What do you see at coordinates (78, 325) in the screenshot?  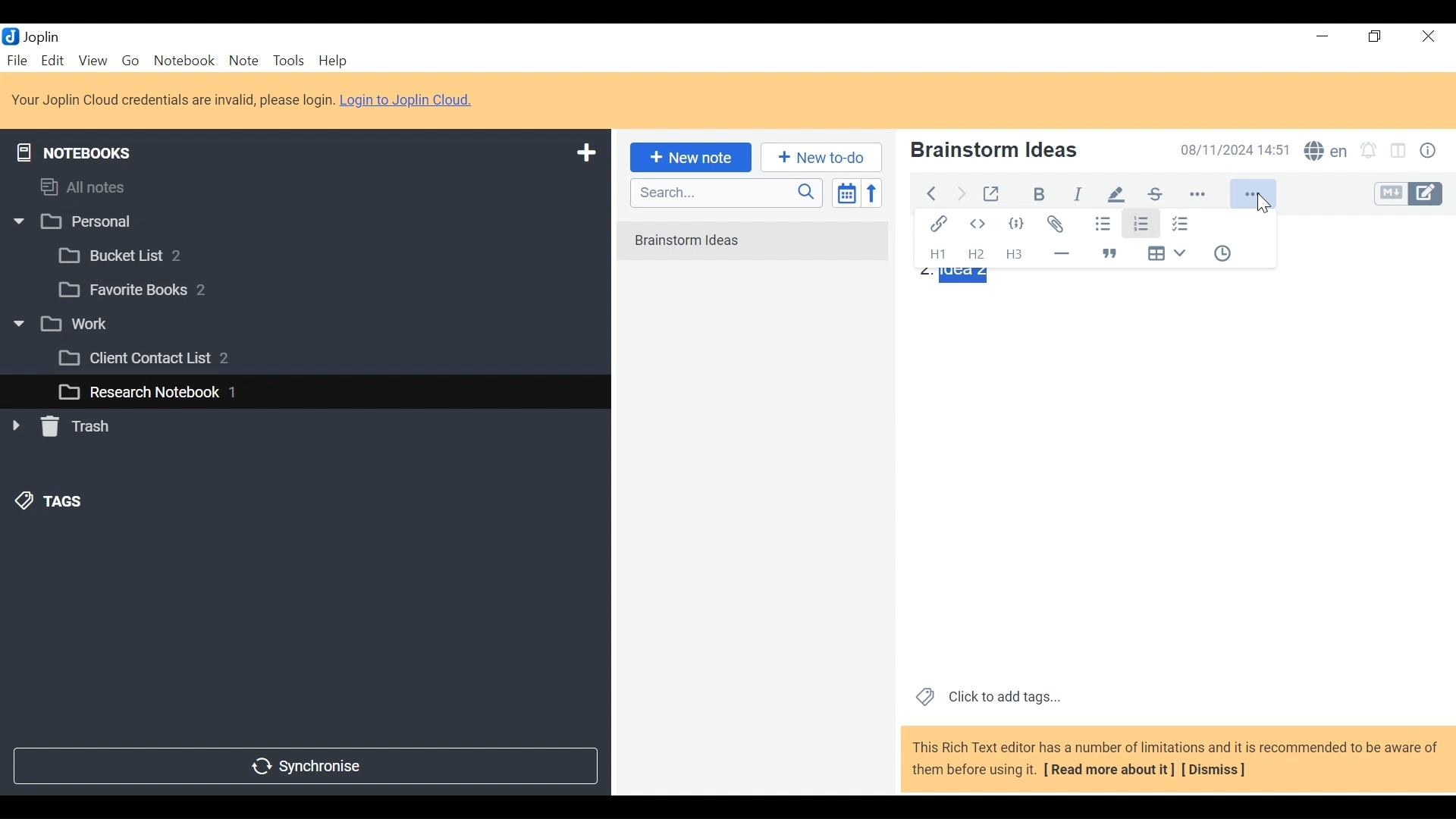 I see `v [3 work` at bounding box center [78, 325].